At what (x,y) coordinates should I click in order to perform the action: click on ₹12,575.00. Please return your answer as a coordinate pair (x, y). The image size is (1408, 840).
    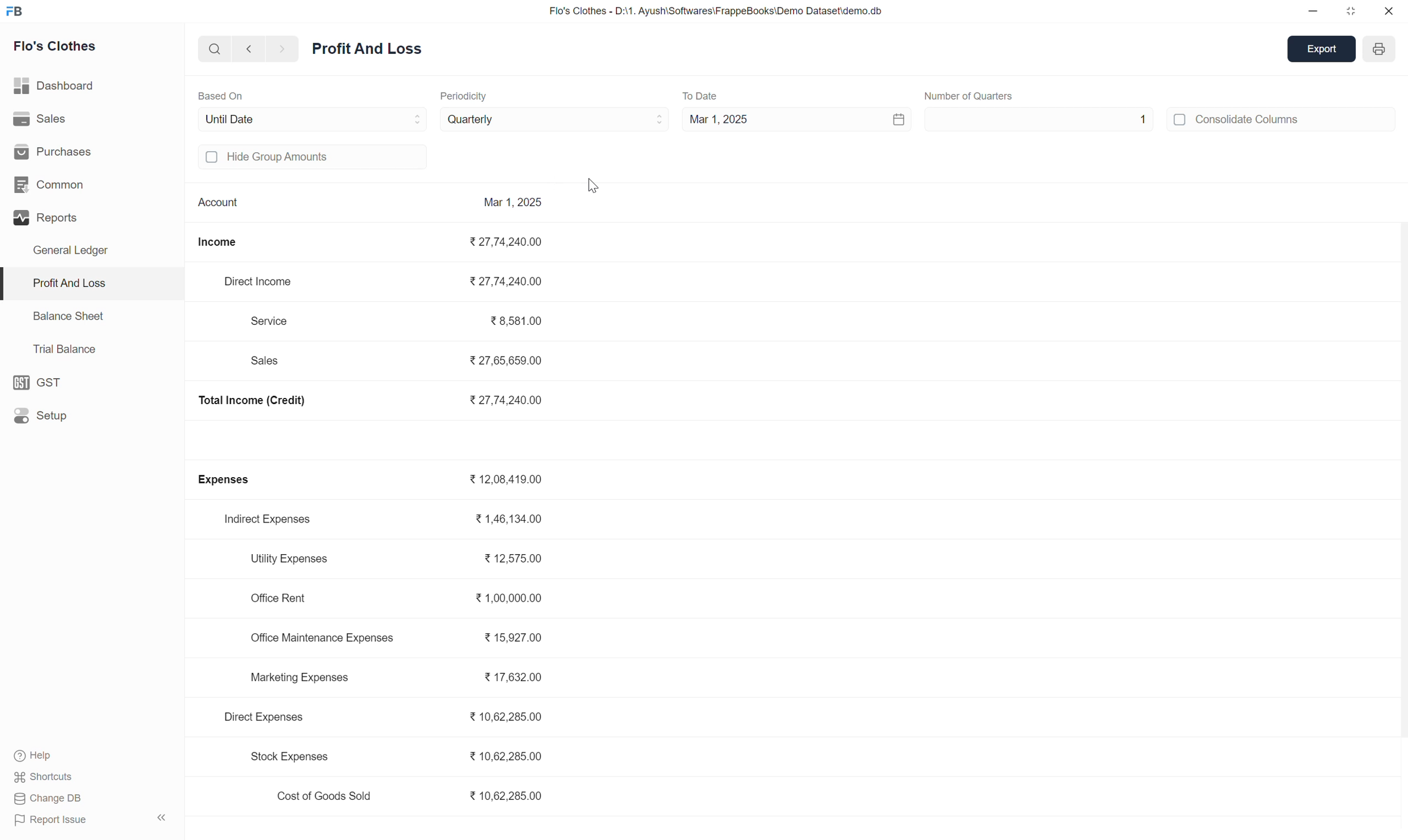
    Looking at the image, I should click on (514, 561).